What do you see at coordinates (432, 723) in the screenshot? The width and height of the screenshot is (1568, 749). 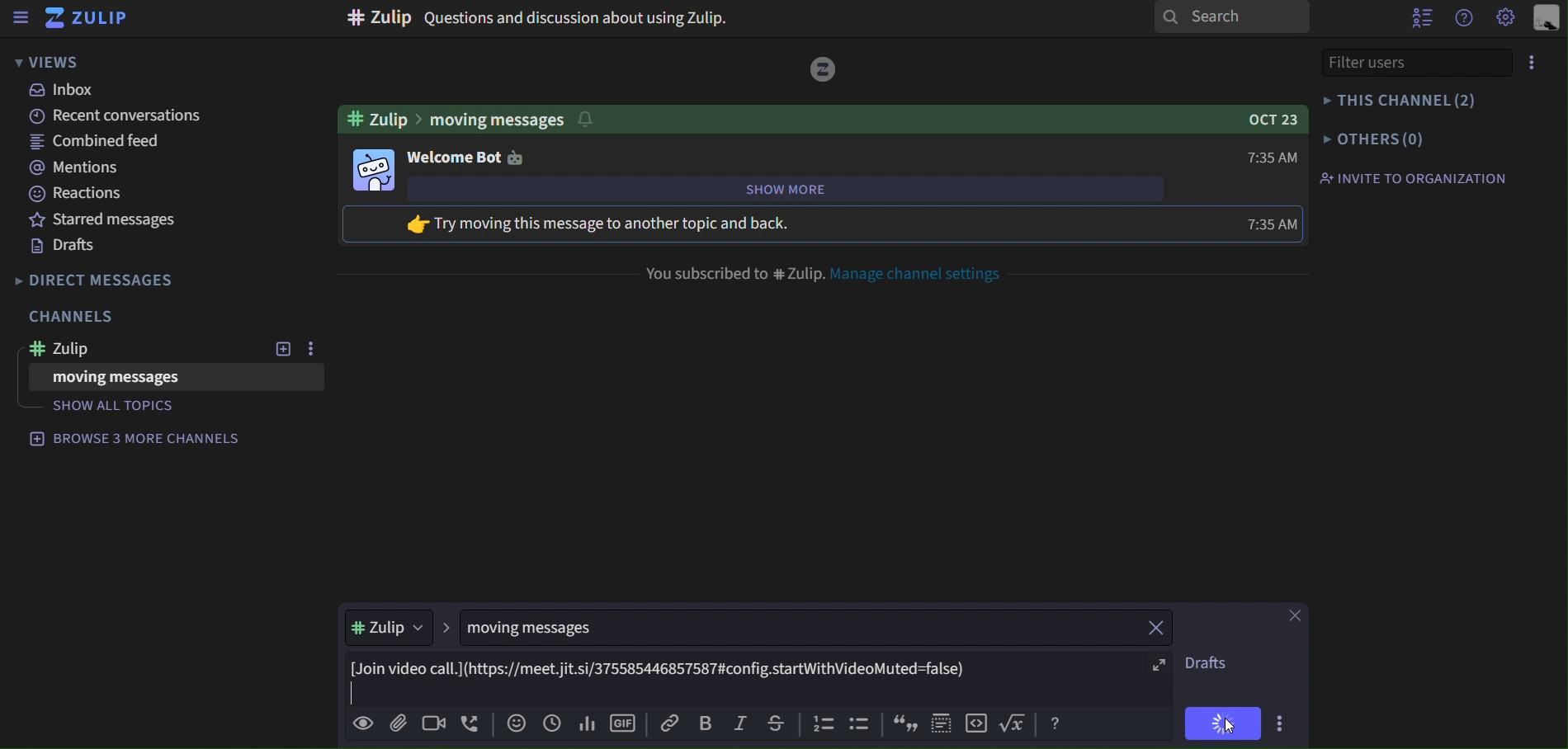 I see `add video call` at bounding box center [432, 723].